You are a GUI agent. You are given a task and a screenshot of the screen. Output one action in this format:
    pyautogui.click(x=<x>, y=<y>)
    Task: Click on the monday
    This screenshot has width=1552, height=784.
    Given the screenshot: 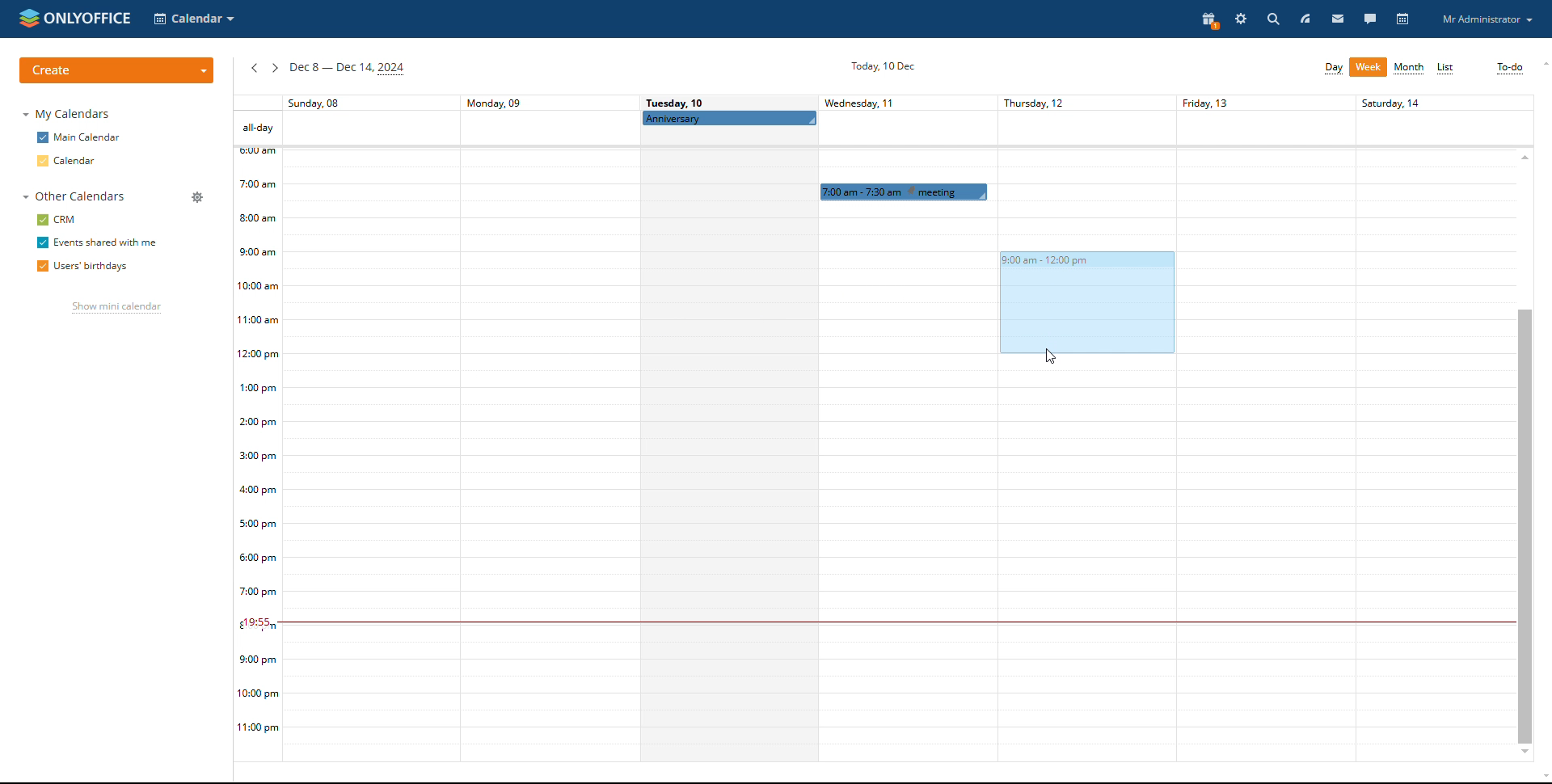 What is the action you would take?
    pyautogui.click(x=547, y=428)
    